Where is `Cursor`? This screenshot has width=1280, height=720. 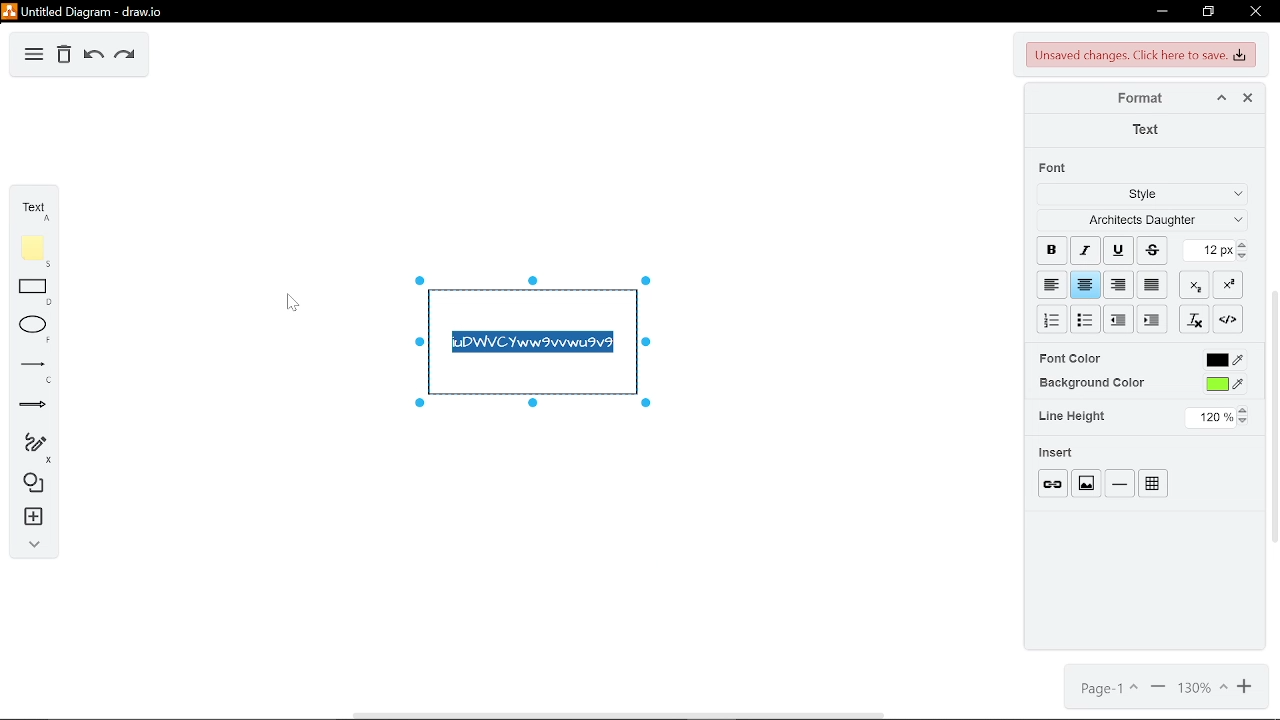
Cursor is located at coordinates (290, 301).